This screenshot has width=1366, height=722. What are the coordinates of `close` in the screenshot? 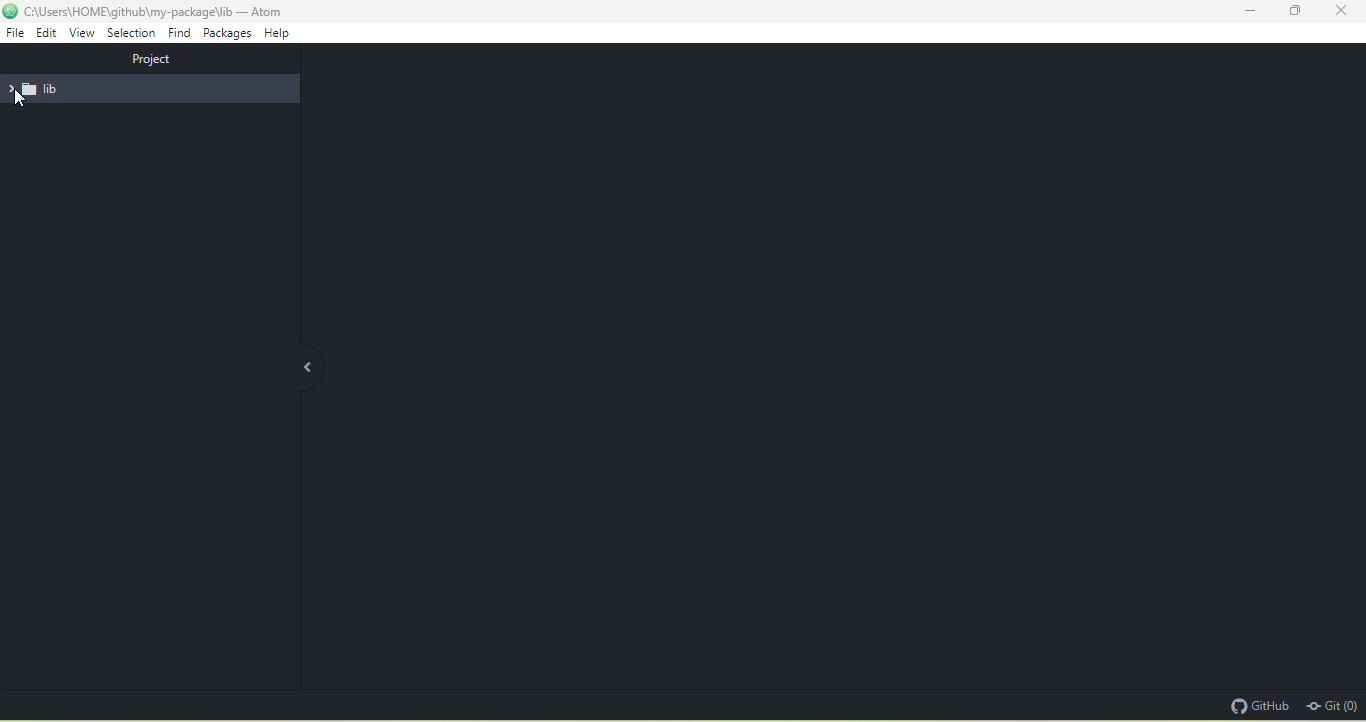 It's located at (1342, 10).